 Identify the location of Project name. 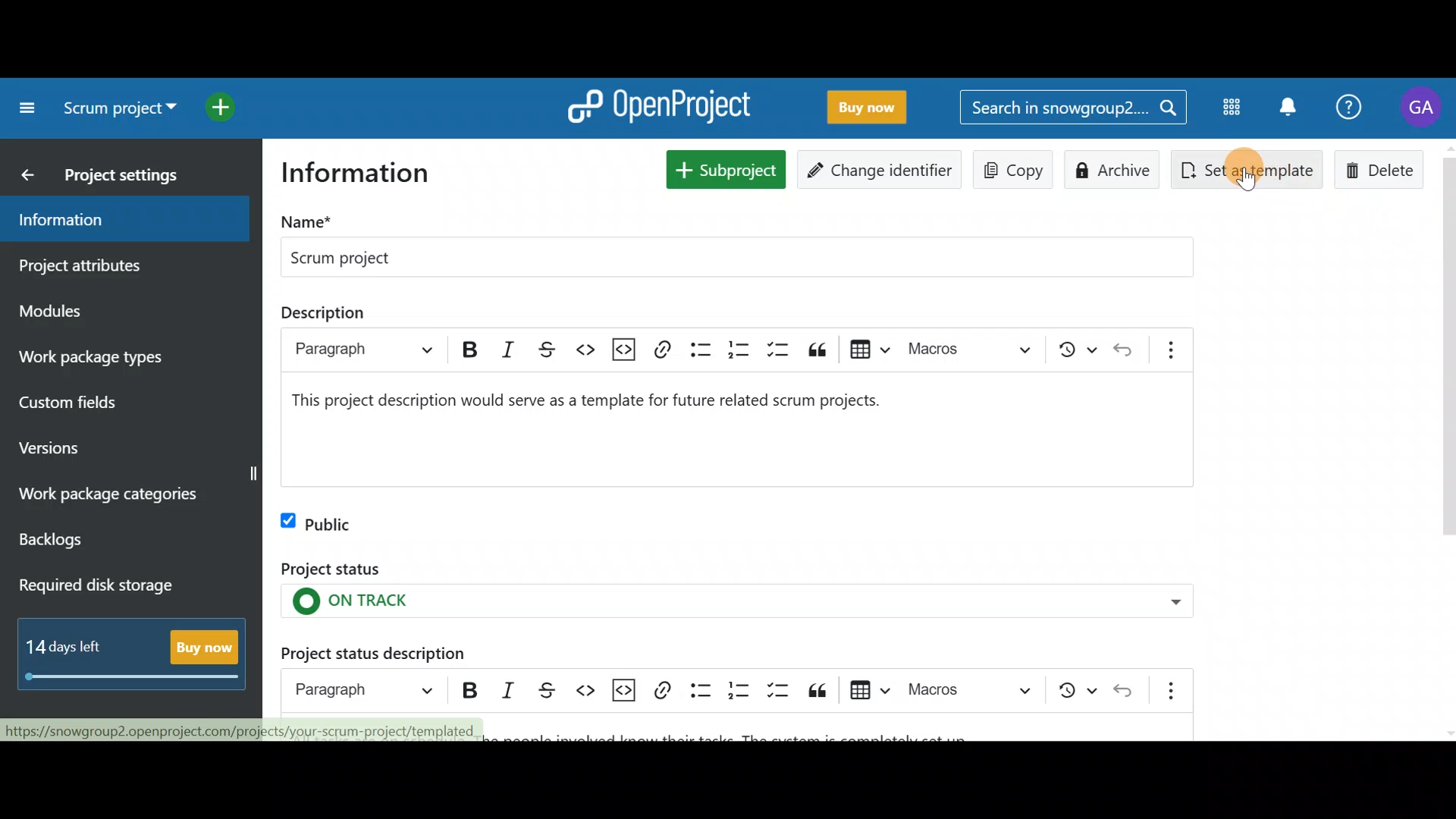
(733, 244).